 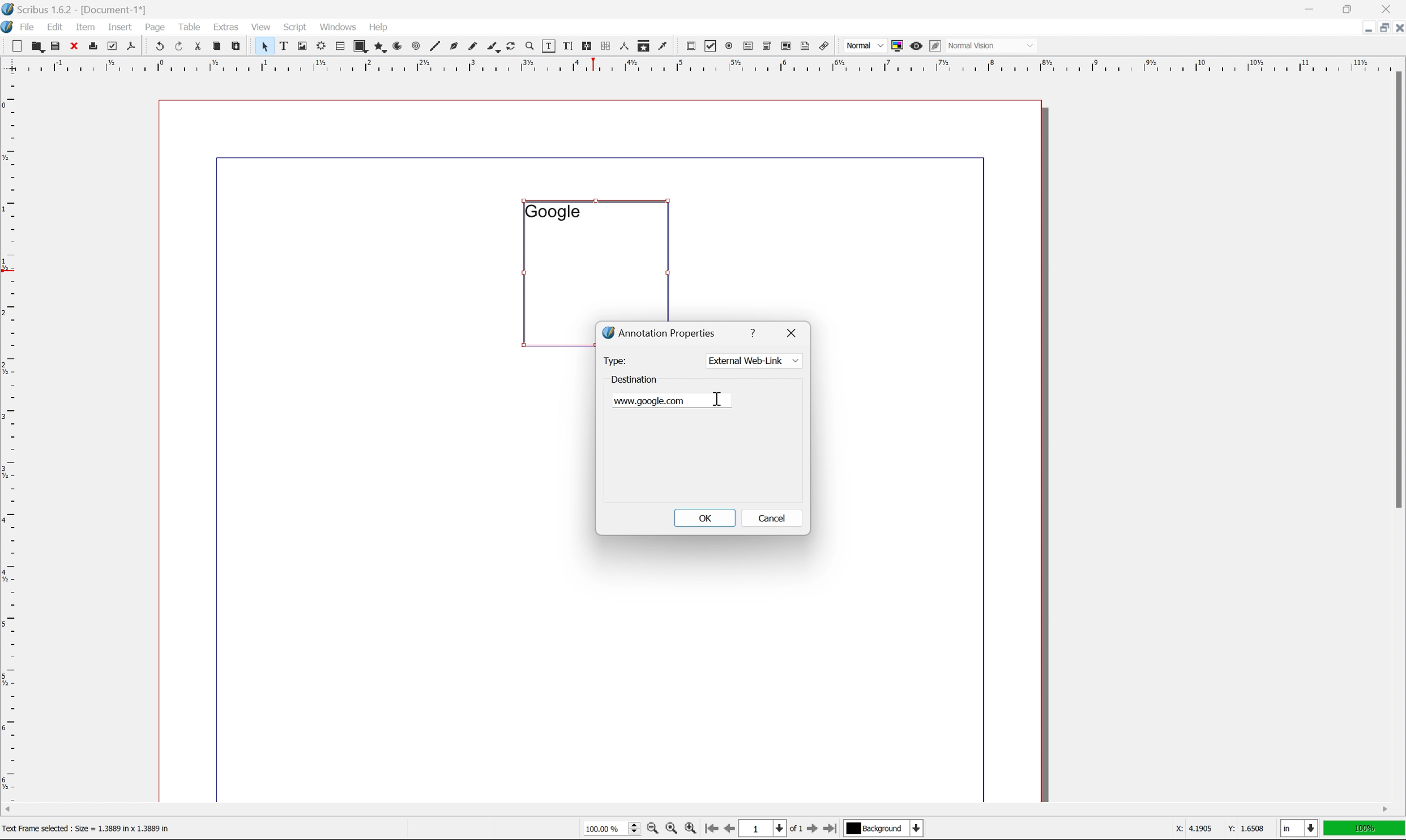 What do you see at coordinates (770, 830) in the screenshot?
I see `select current page` at bounding box center [770, 830].